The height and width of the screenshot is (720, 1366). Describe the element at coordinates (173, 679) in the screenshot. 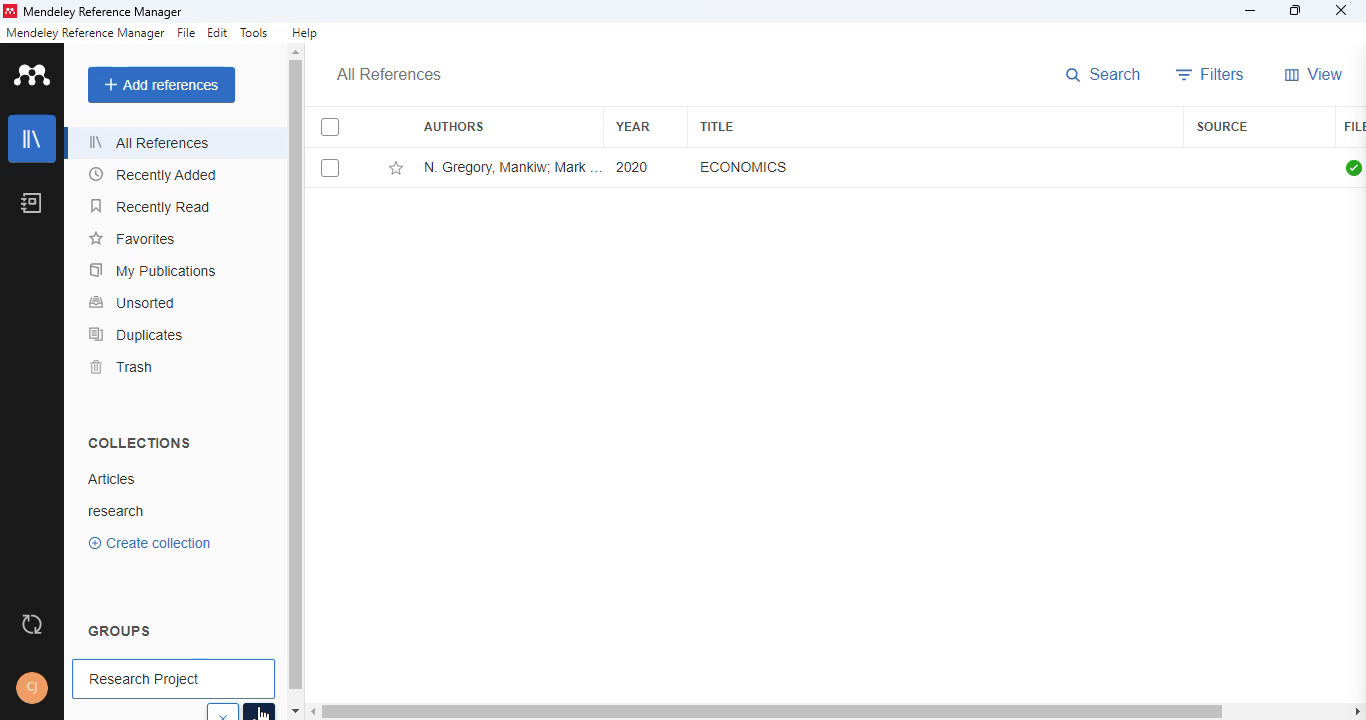

I see `research project` at that location.